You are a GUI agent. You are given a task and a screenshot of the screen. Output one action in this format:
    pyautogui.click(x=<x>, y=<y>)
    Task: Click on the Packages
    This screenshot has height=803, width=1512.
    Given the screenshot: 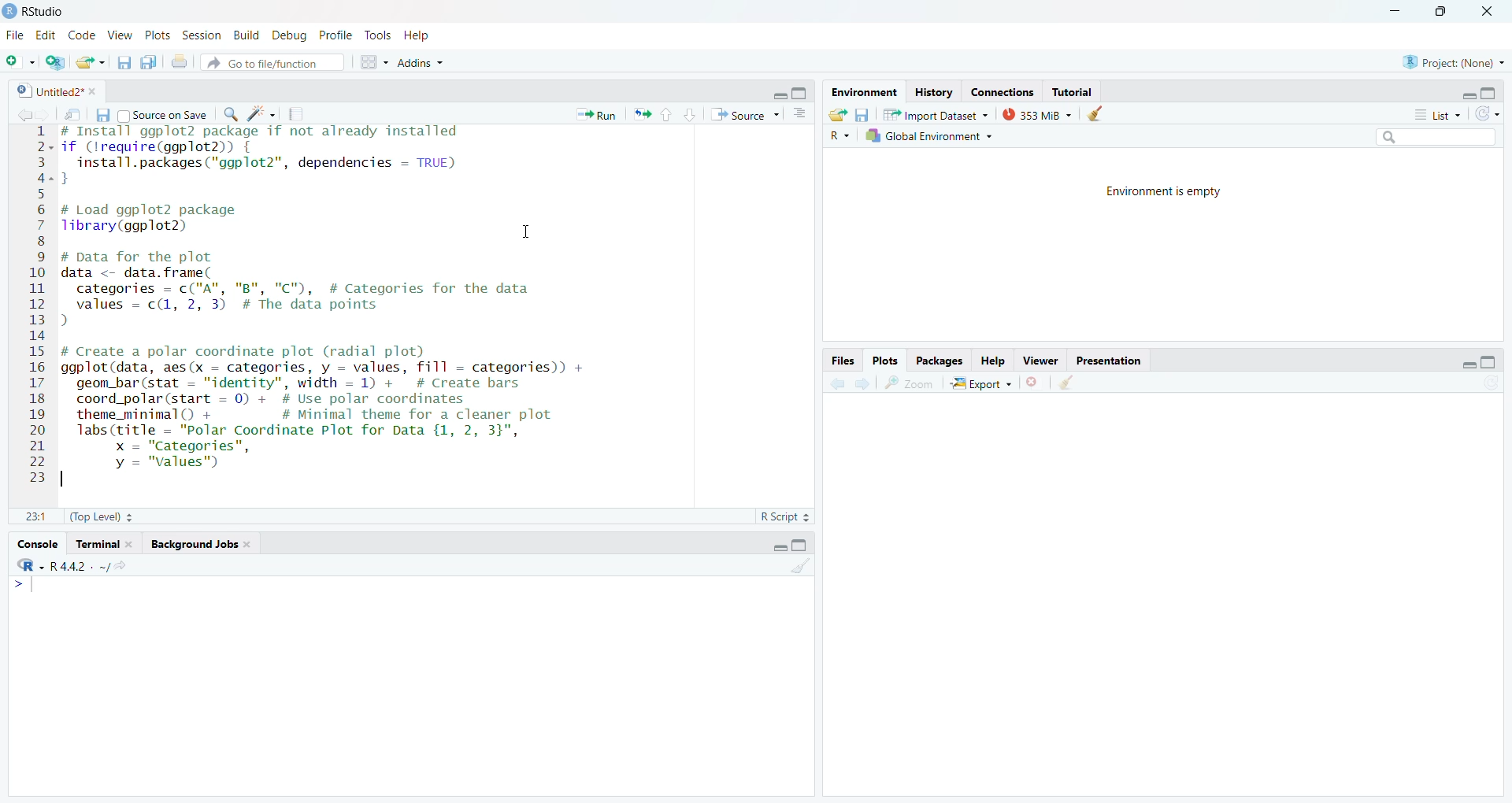 What is the action you would take?
    pyautogui.click(x=943, y=361)
    